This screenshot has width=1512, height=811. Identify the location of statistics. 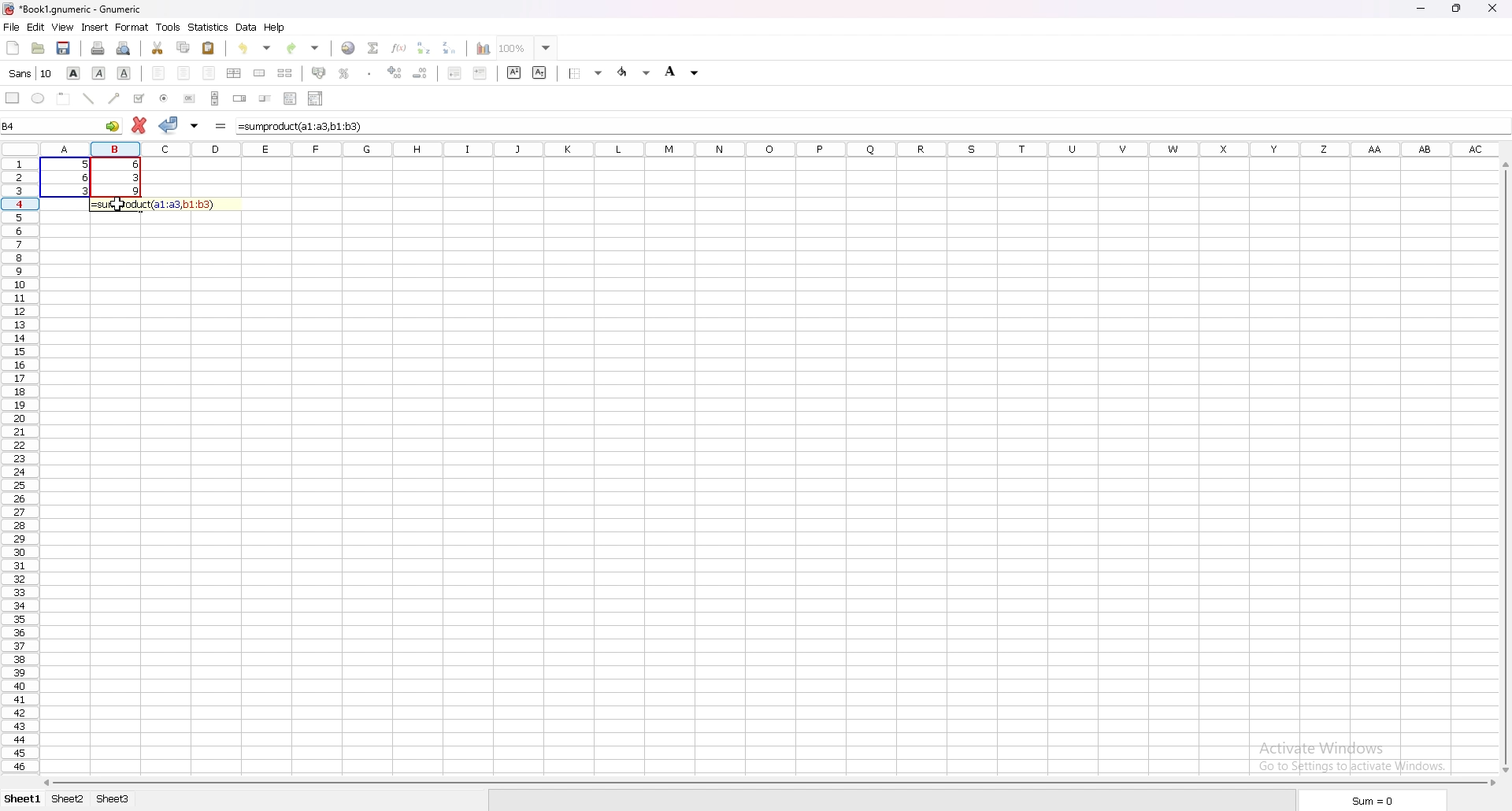
(209, 28).